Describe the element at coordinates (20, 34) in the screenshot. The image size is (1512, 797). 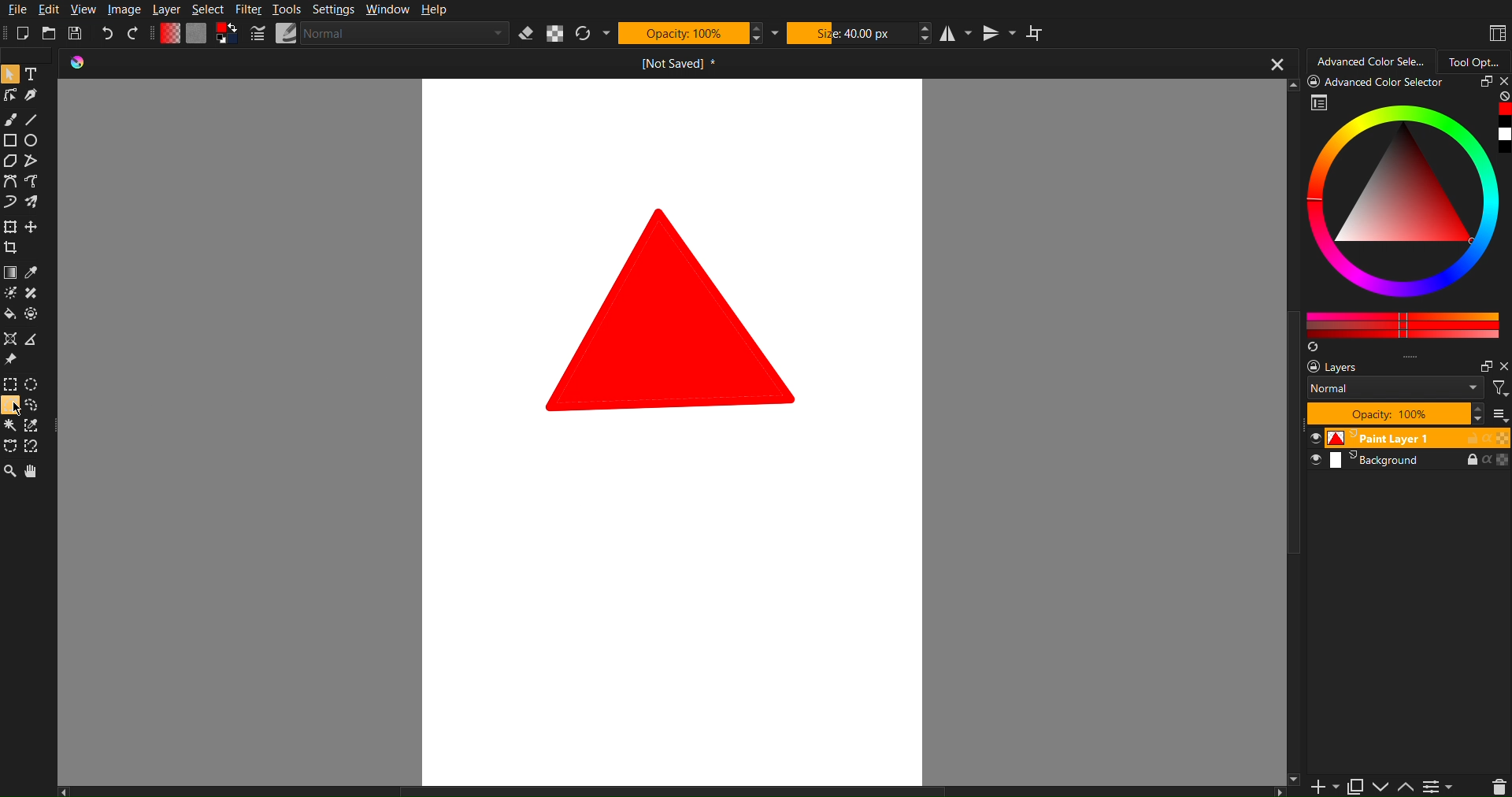
I see `New` at that location.